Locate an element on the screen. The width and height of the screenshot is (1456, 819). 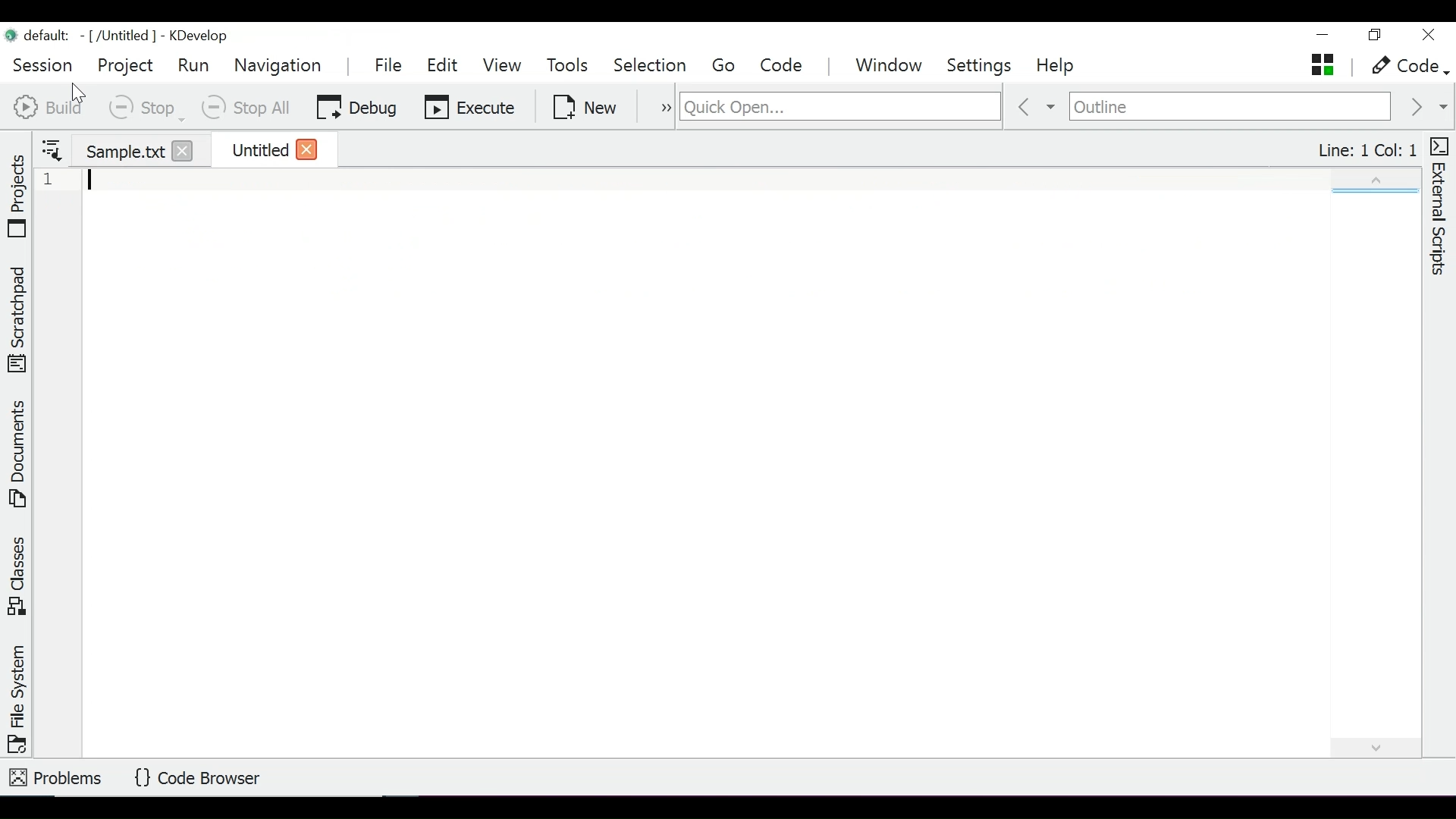
Restore is located at coordinates (1376, 36).